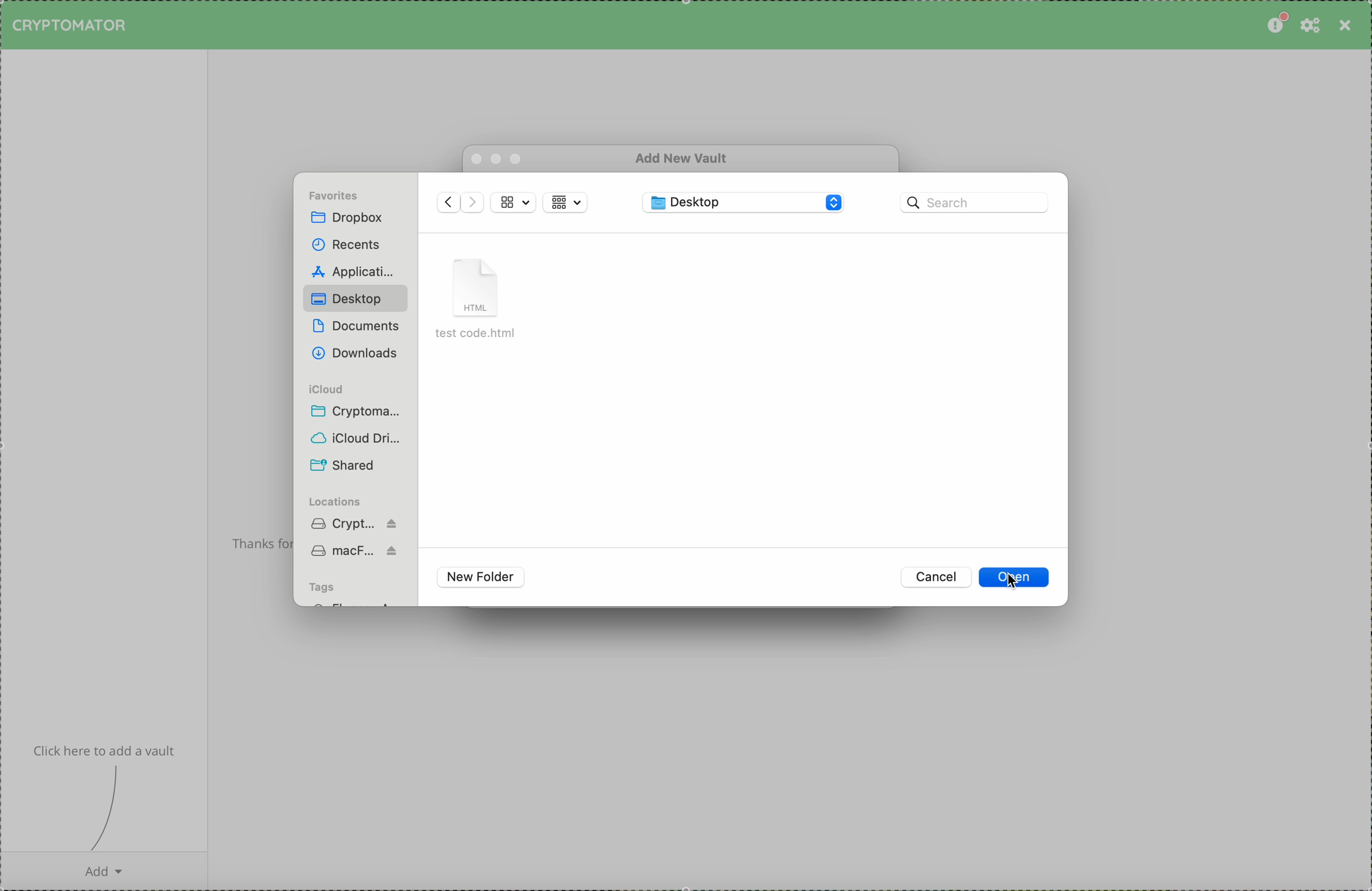  Describe the element at coordinates (358, 411) in the screenshot. I see `crypto...` at that location.